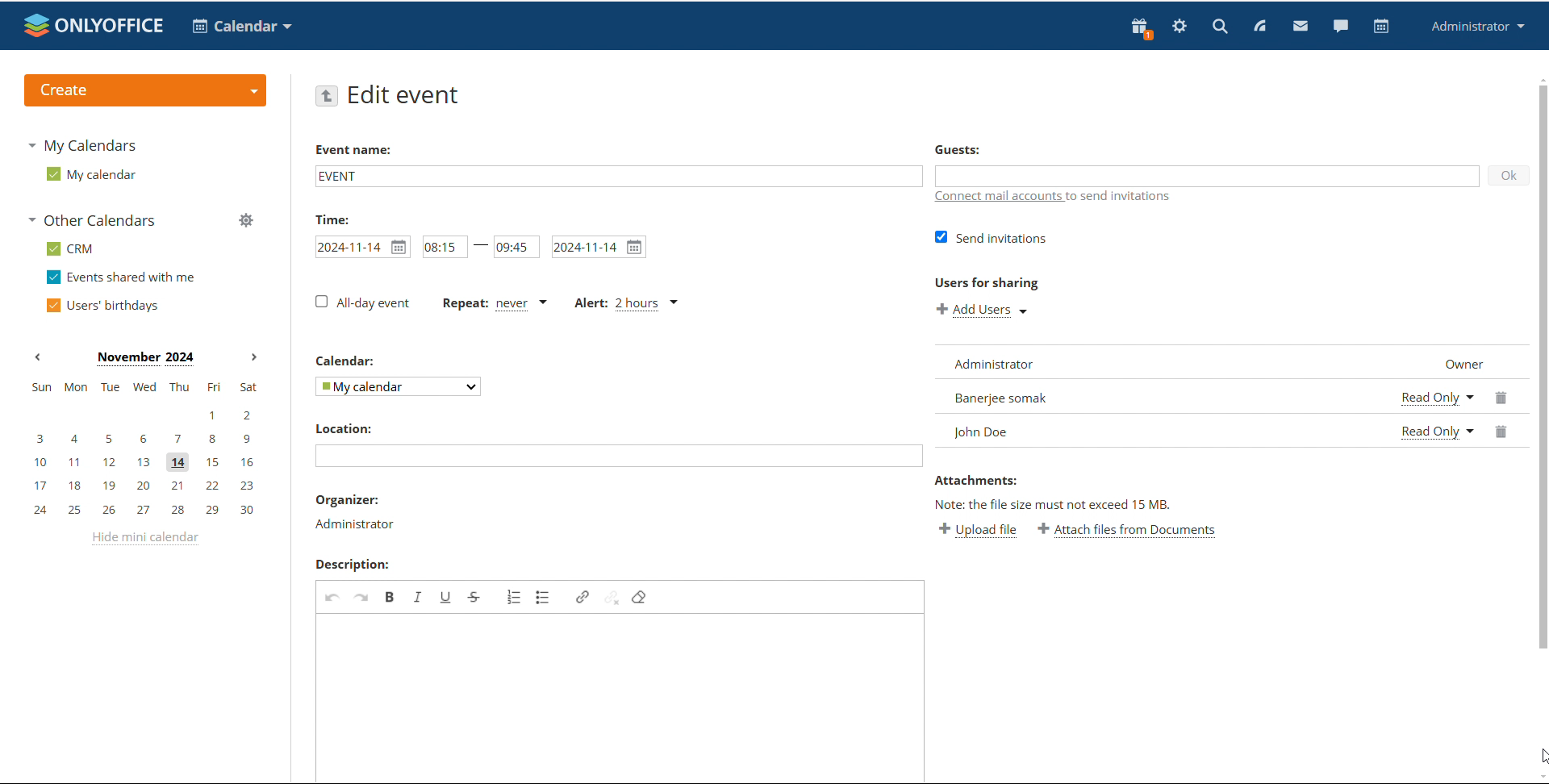  What do you see at coordinates (619, 175) in the screenshot?
I see `edit event name` at bounding box center [619, 175].